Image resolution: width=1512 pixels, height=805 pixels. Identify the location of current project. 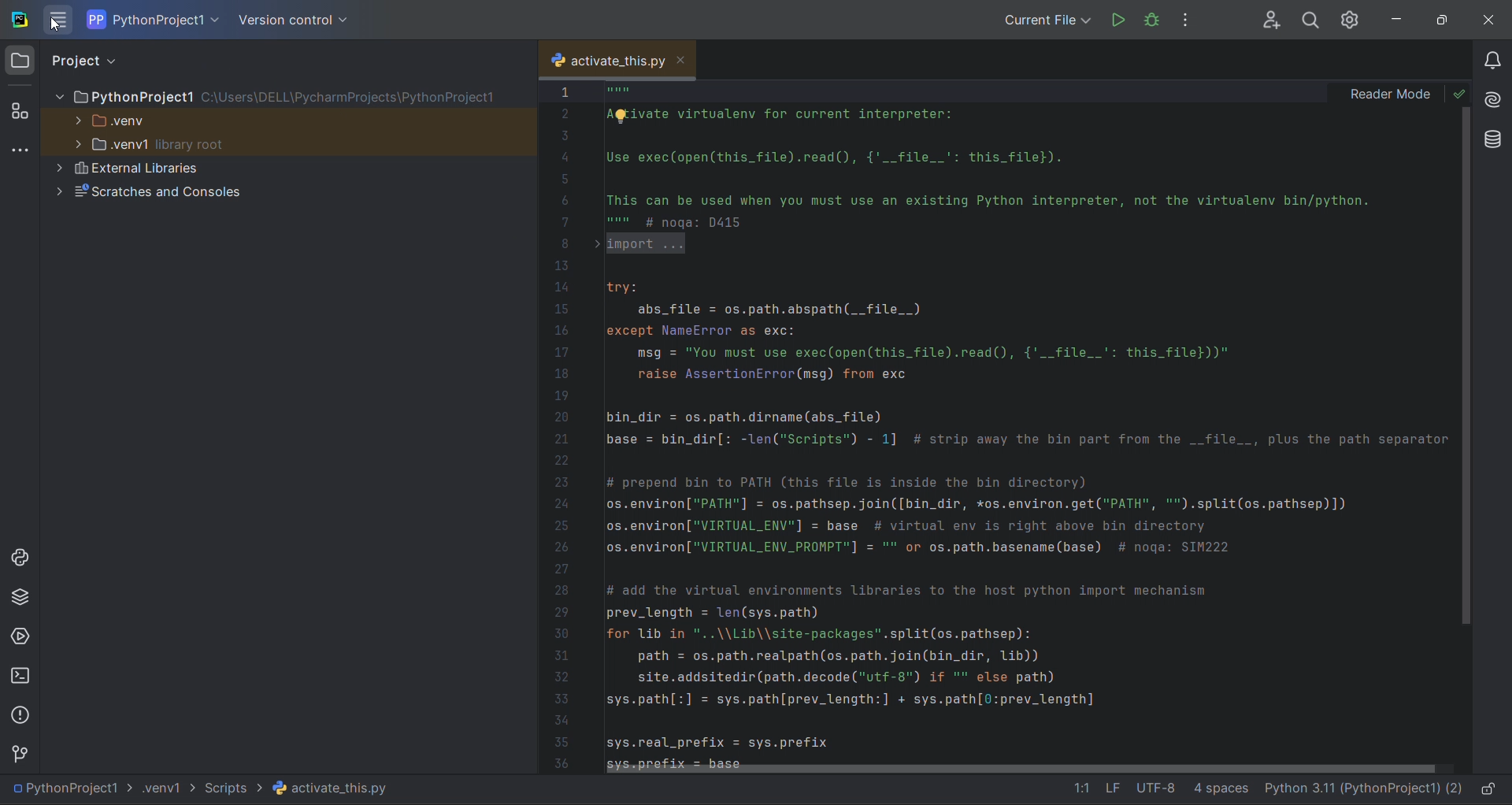
(154, 19).